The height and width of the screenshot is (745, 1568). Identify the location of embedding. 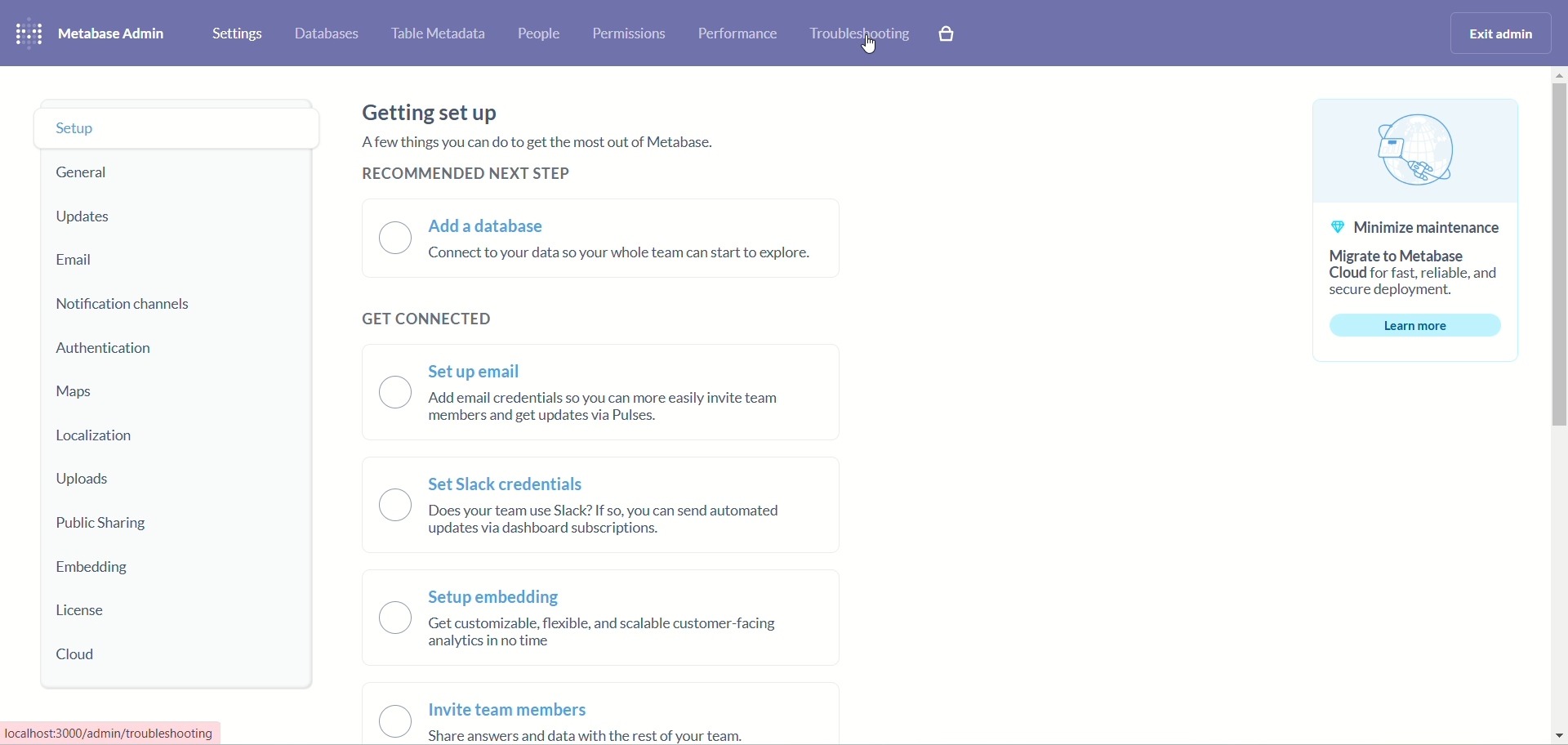
(87, 570).